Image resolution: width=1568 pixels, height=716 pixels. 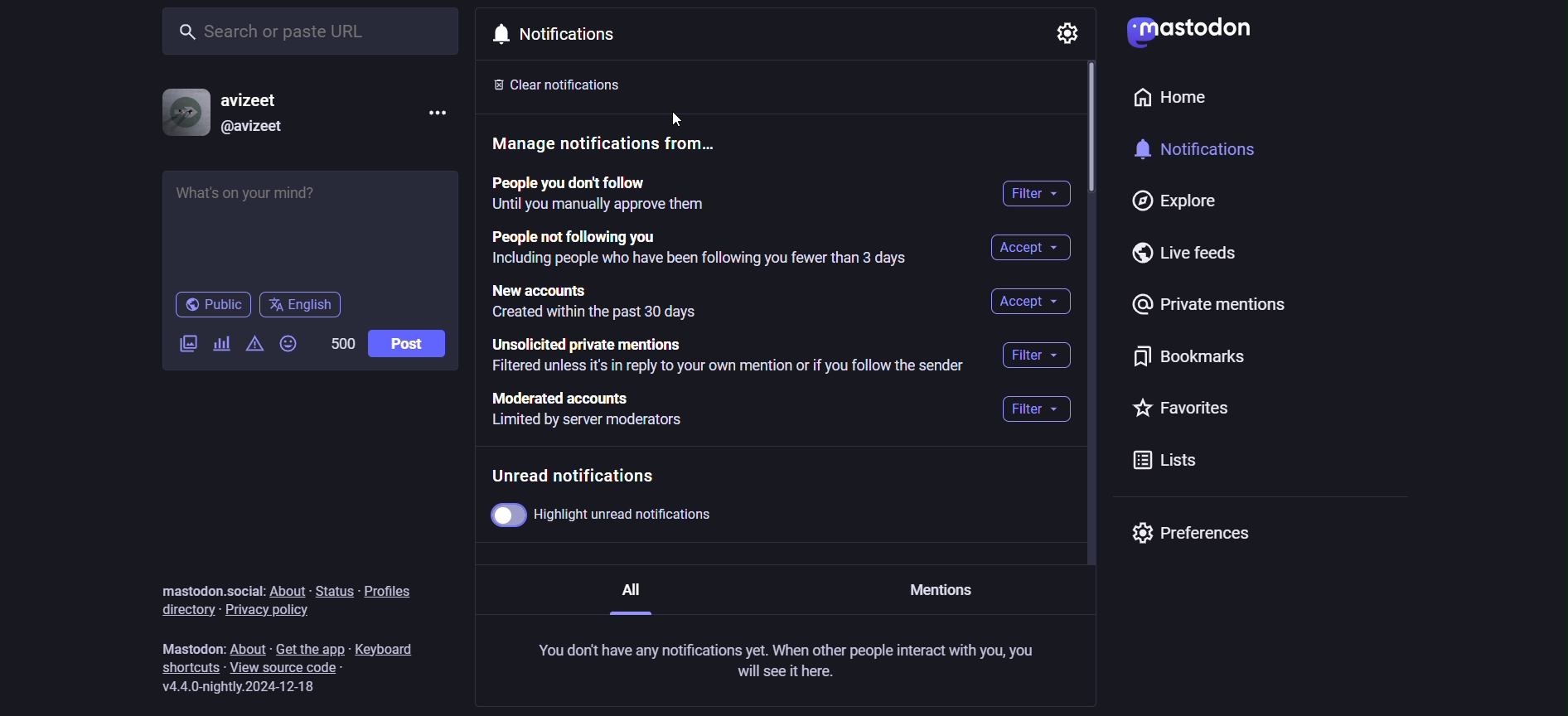 I want to click on directory, so click(x=179, y=609).